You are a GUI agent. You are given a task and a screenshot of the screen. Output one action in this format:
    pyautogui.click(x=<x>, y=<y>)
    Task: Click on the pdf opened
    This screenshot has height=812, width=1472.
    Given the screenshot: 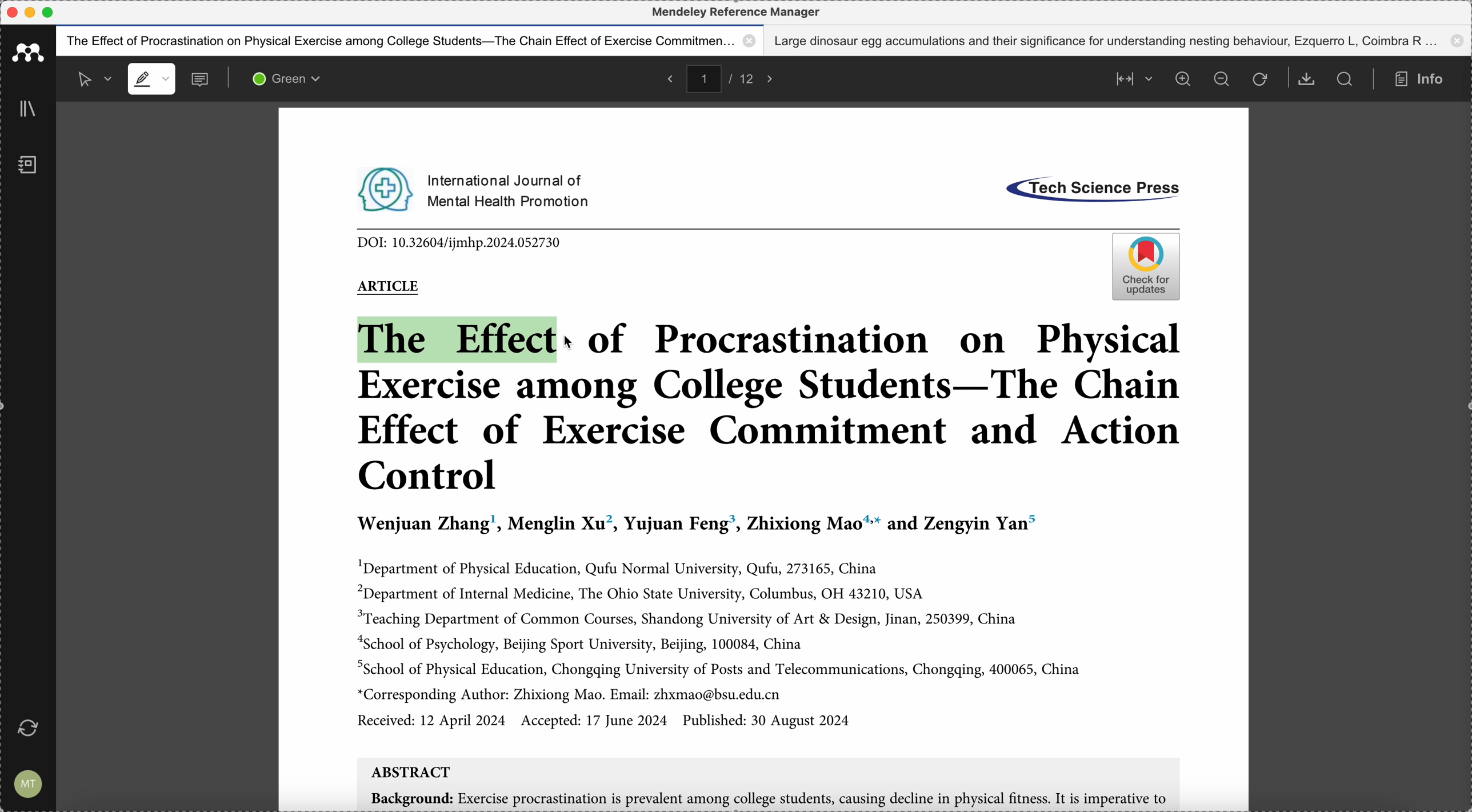 What is the action you would take?
    pyautogui.click(x=914, y=460)
    